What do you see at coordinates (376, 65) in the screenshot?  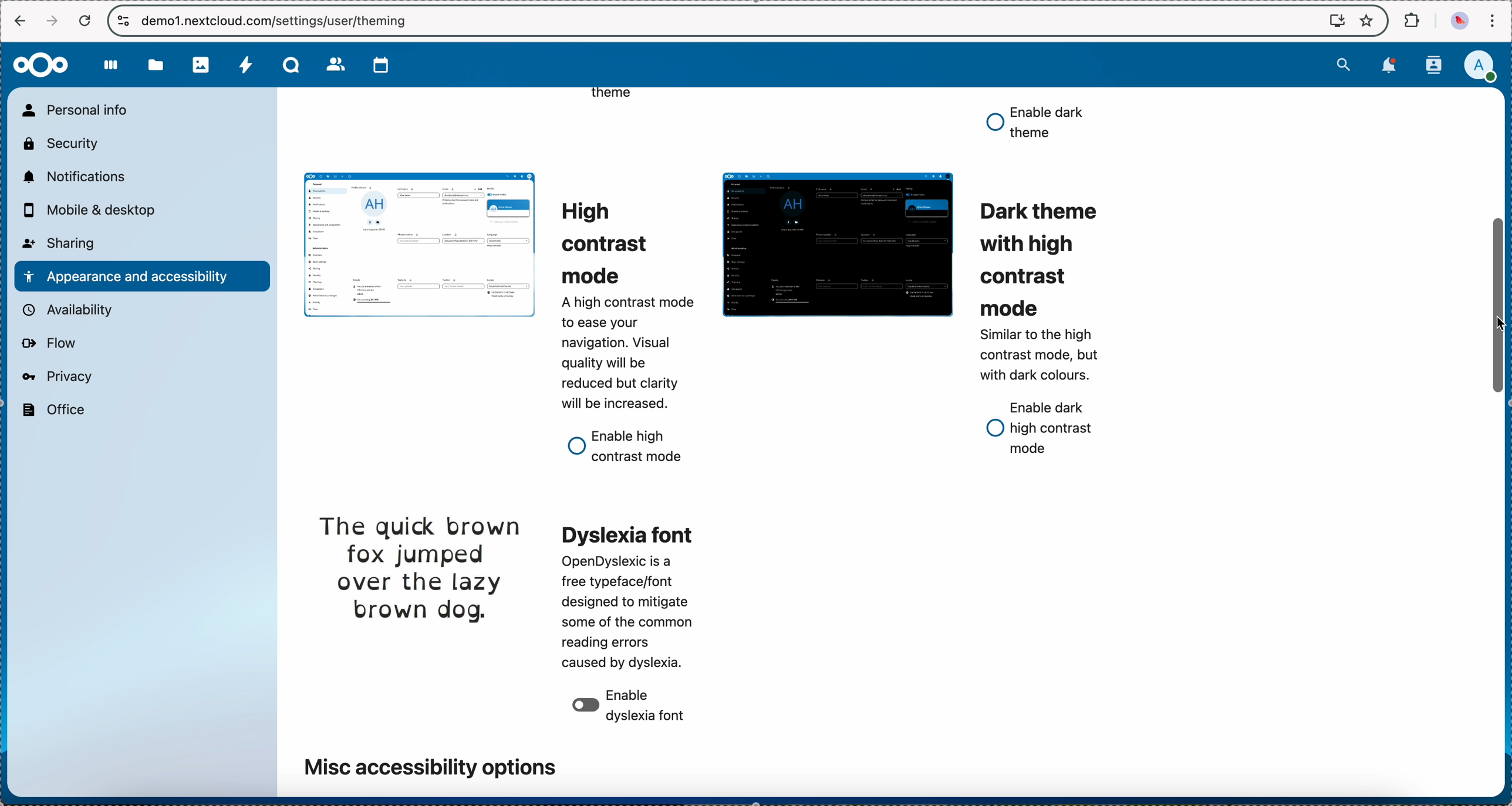 I see `calendar` at bounding box center [376, 65].